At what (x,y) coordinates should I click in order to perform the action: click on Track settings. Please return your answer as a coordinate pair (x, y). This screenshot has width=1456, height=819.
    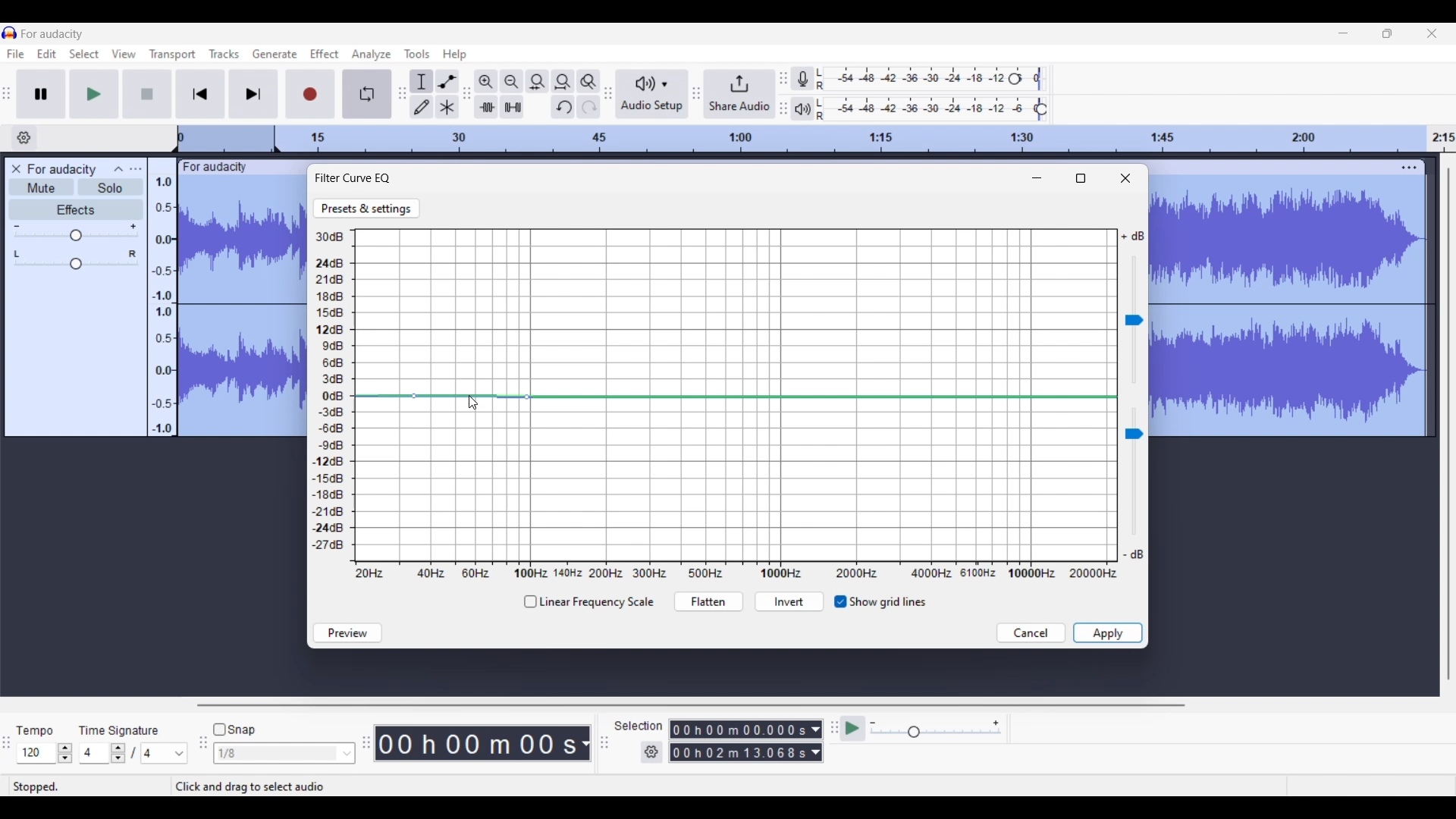
    Looking at the image, I should click on (1409, 168).